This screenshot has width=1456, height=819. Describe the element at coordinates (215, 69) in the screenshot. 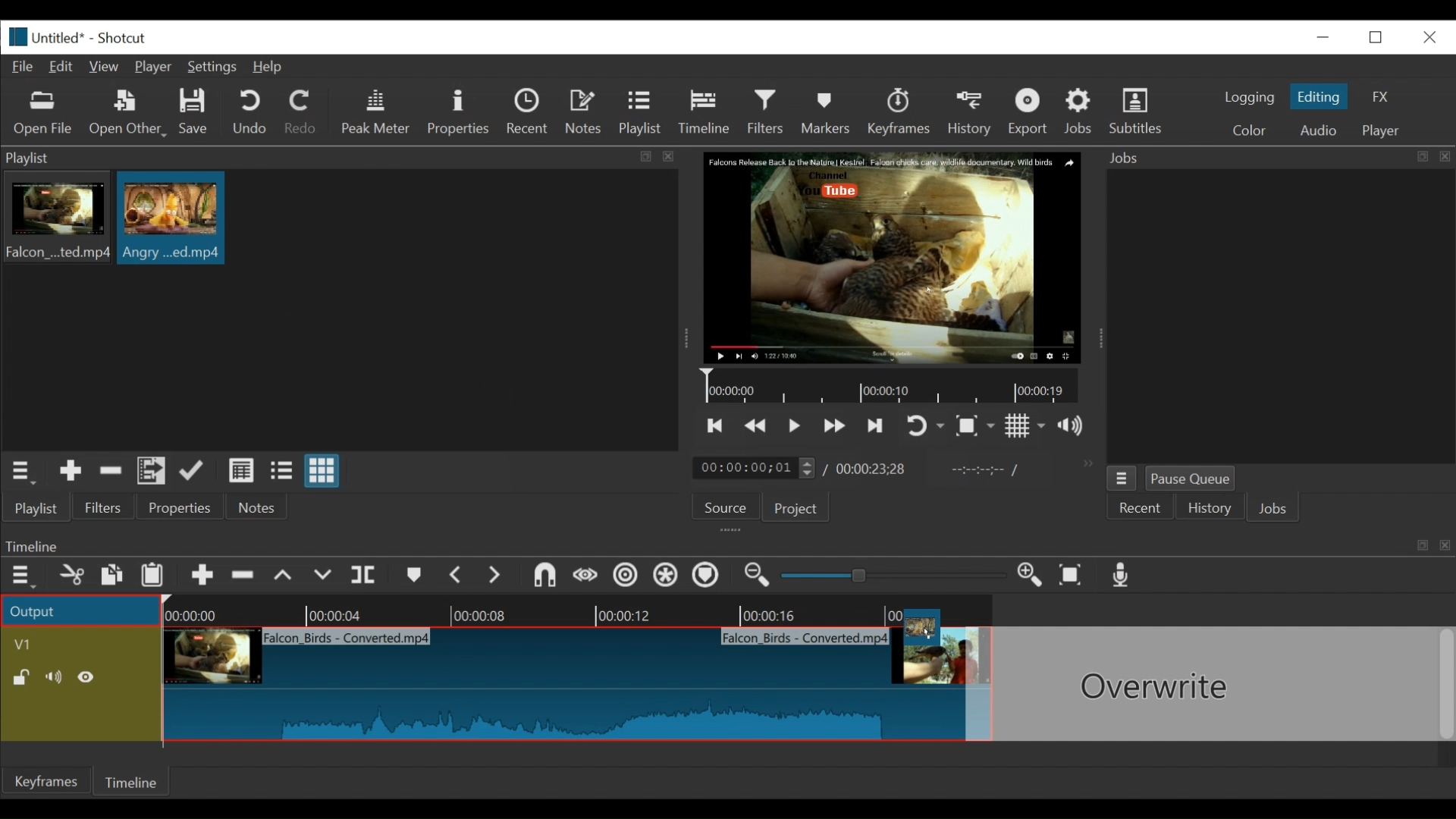

I see `Settings` at that location.